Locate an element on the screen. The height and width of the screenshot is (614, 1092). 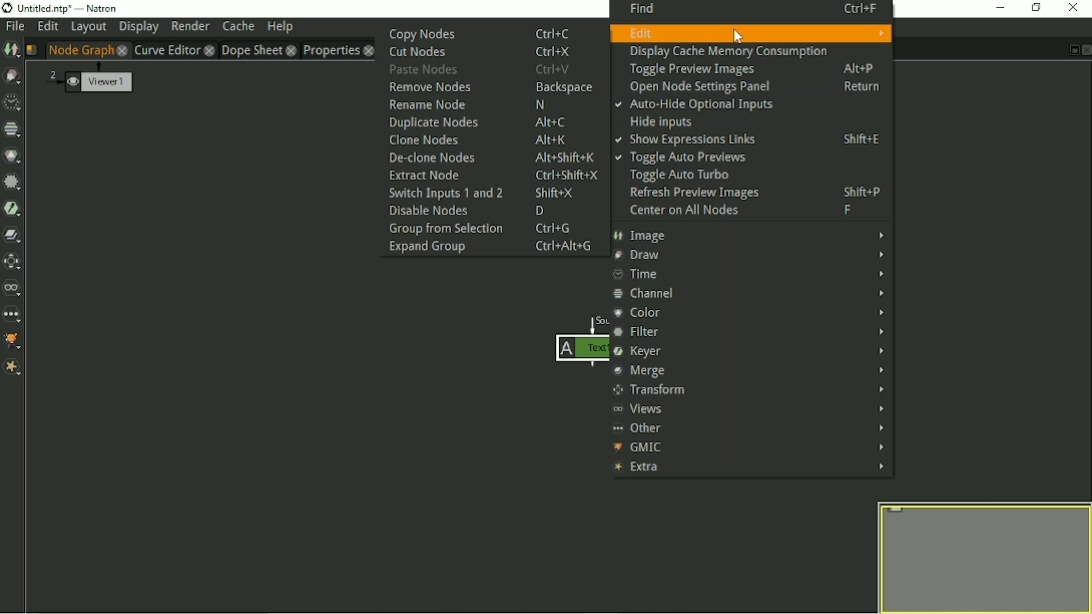
Remove Nodes is located at coordinates (489, 87).